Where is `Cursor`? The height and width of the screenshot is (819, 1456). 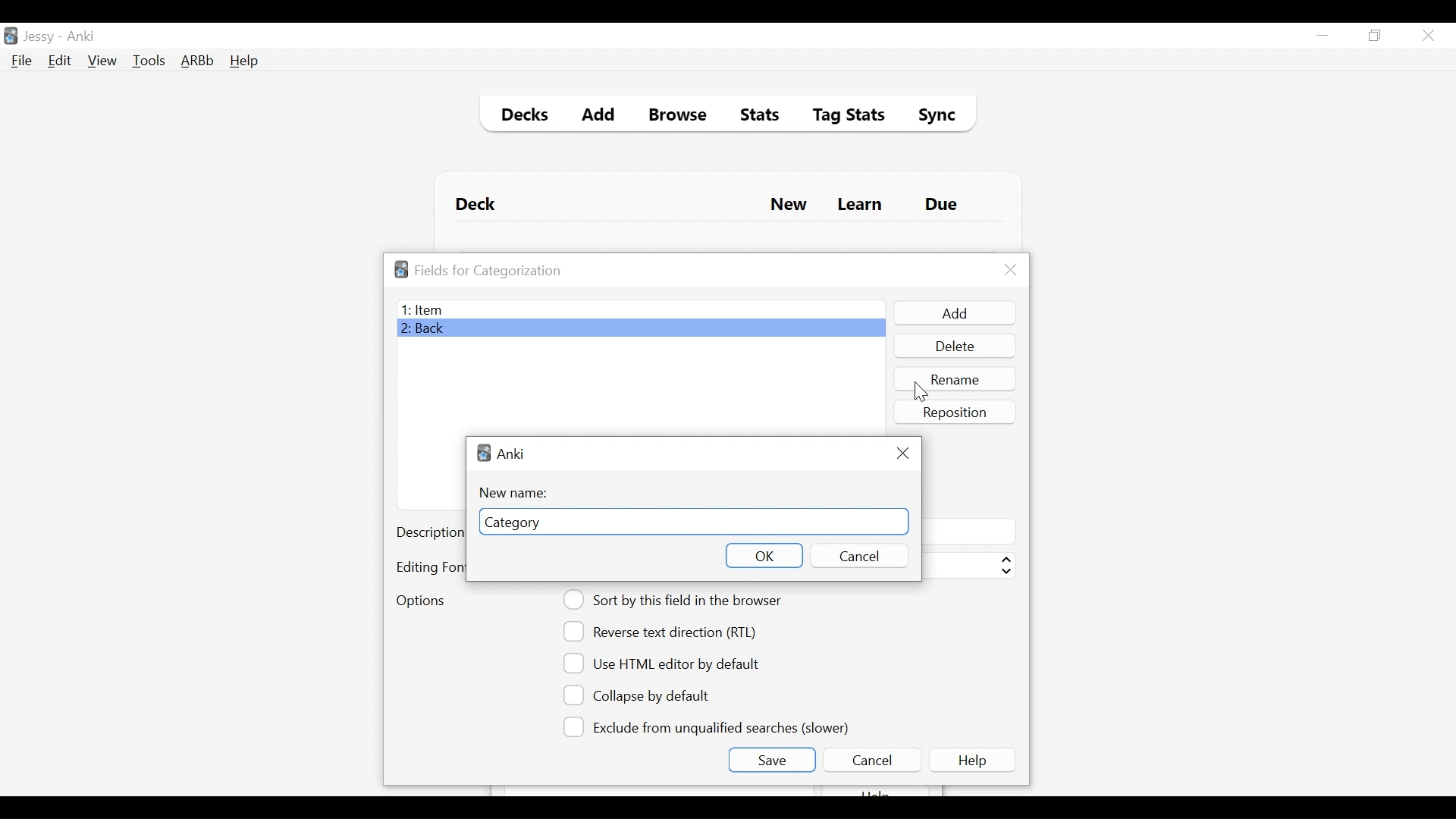 Cursor is located at coordinates (917, 394).